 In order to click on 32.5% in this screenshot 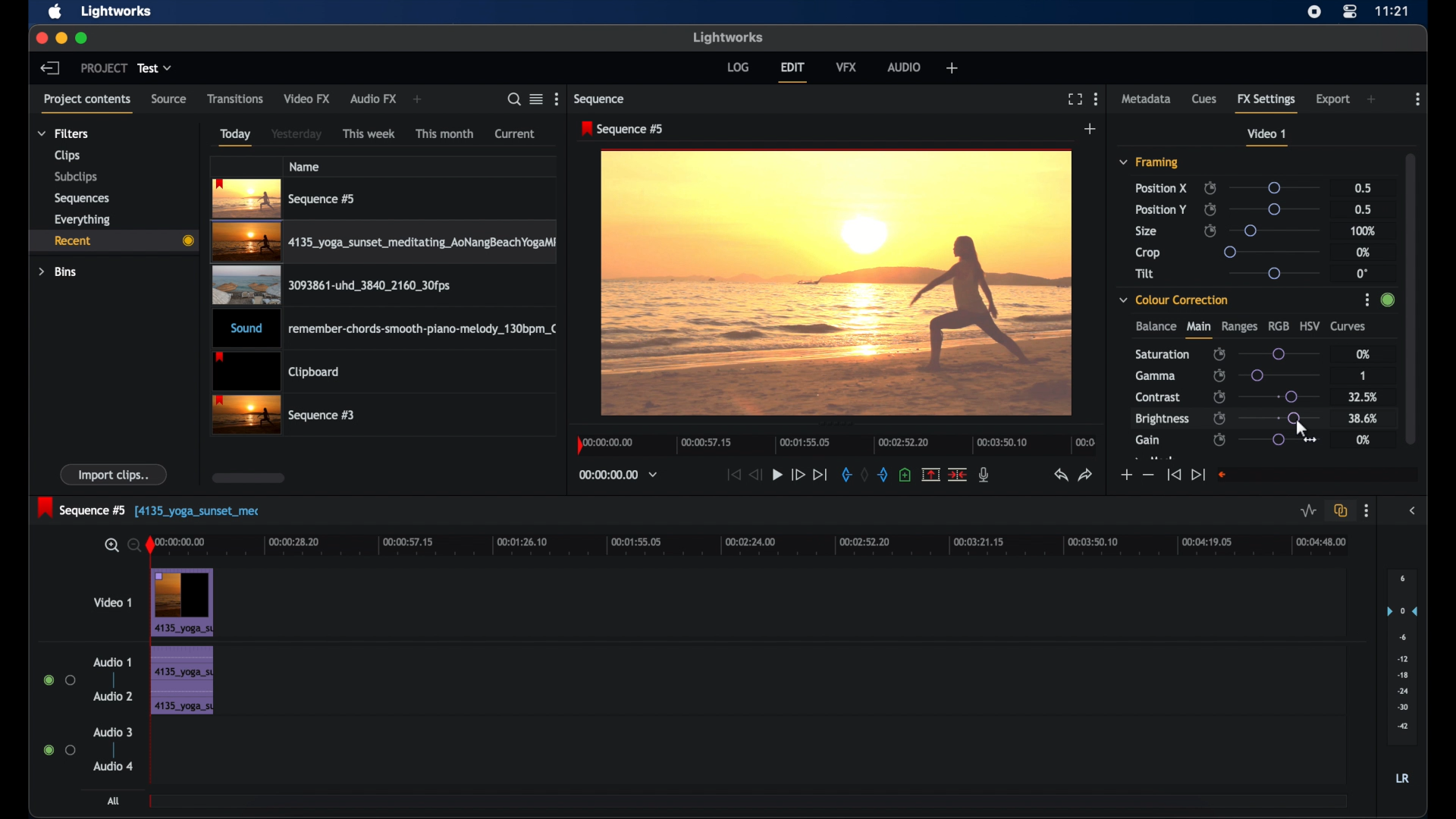, I will do `click(1364, 397)`.